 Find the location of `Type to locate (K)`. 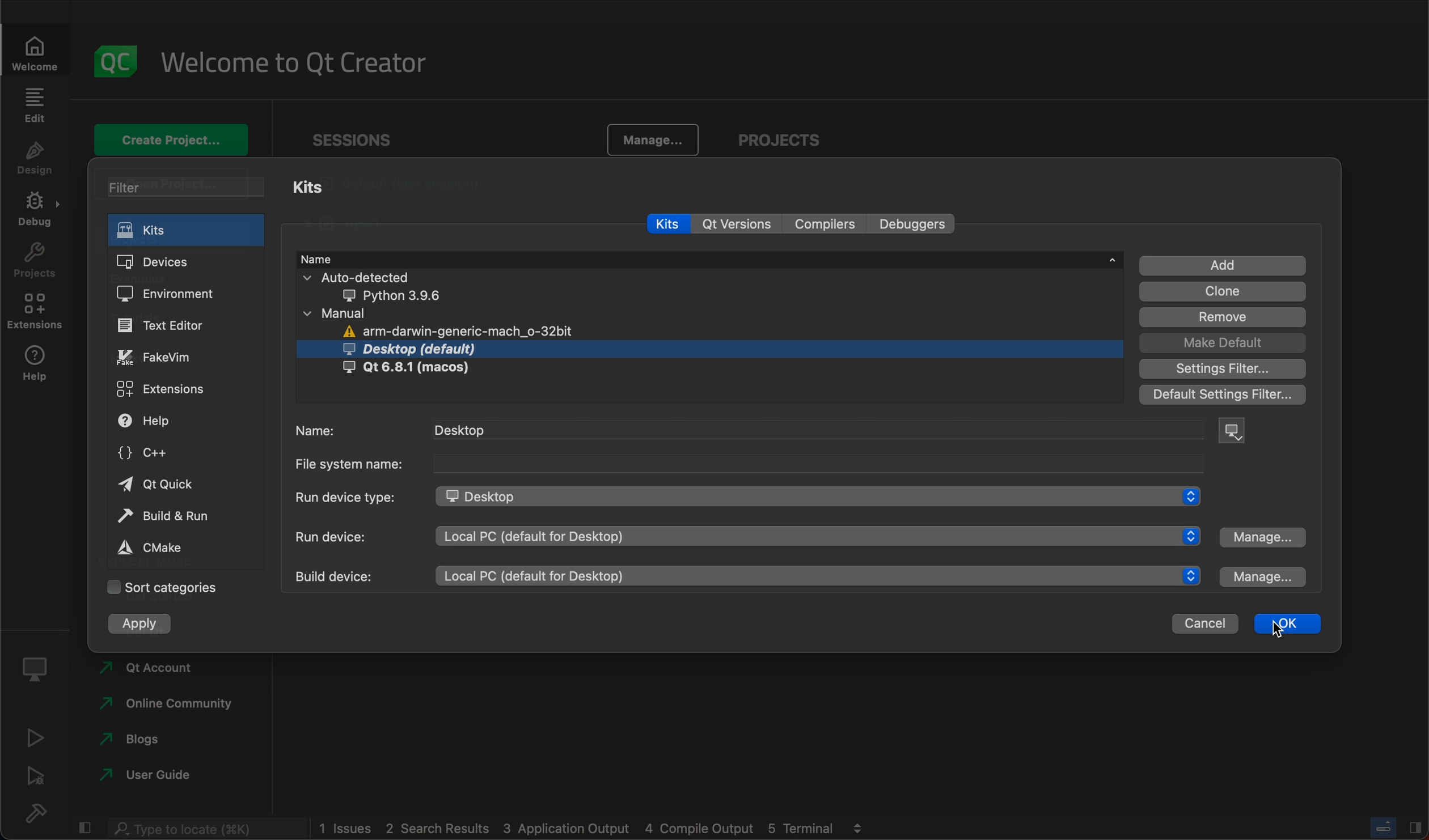

Type to locate (K) is located at coordinates (205, 828).